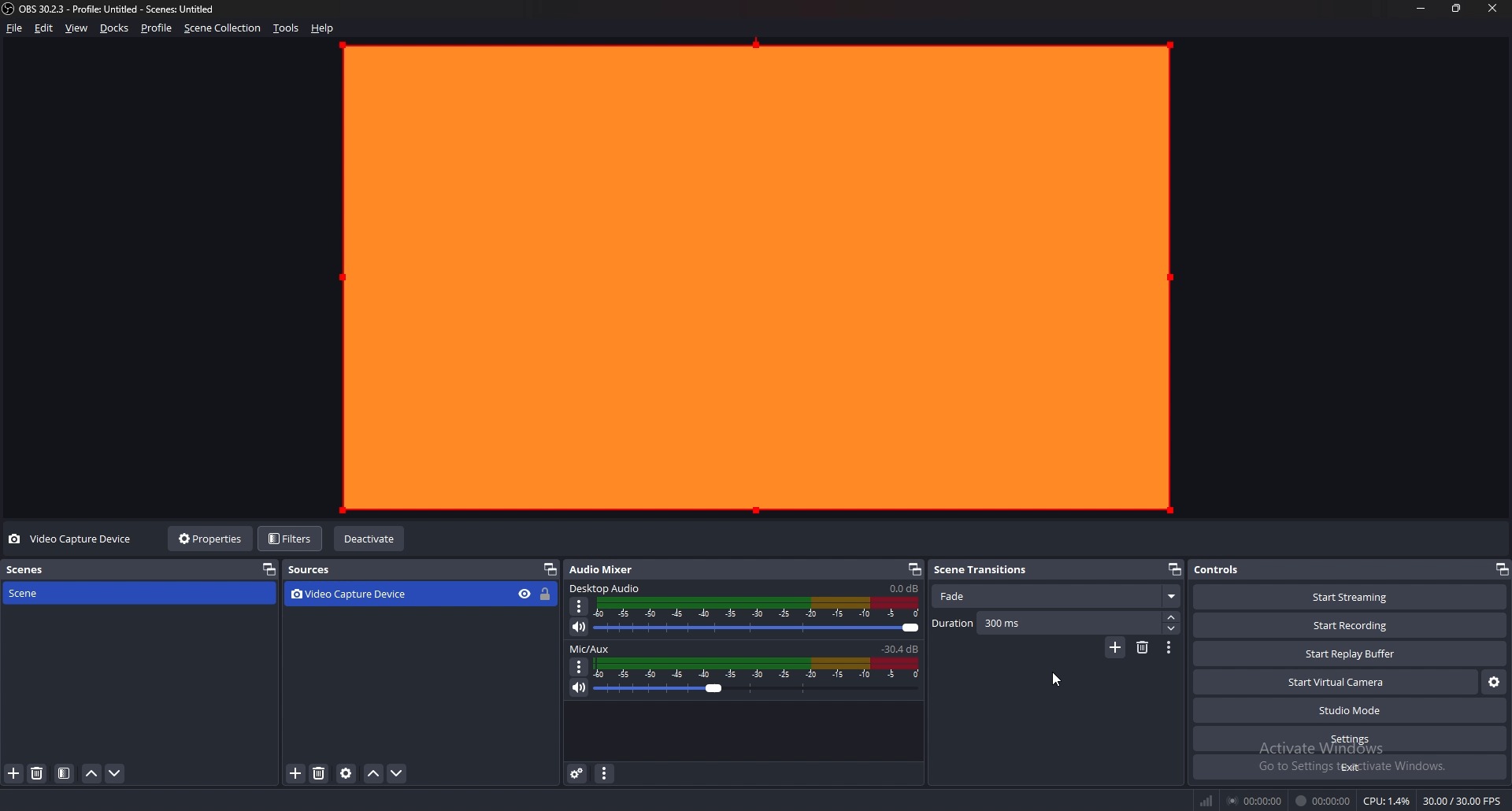  Describe the element at coordinates (114, 774) in the screenshot. I see `move scene down` at that location.